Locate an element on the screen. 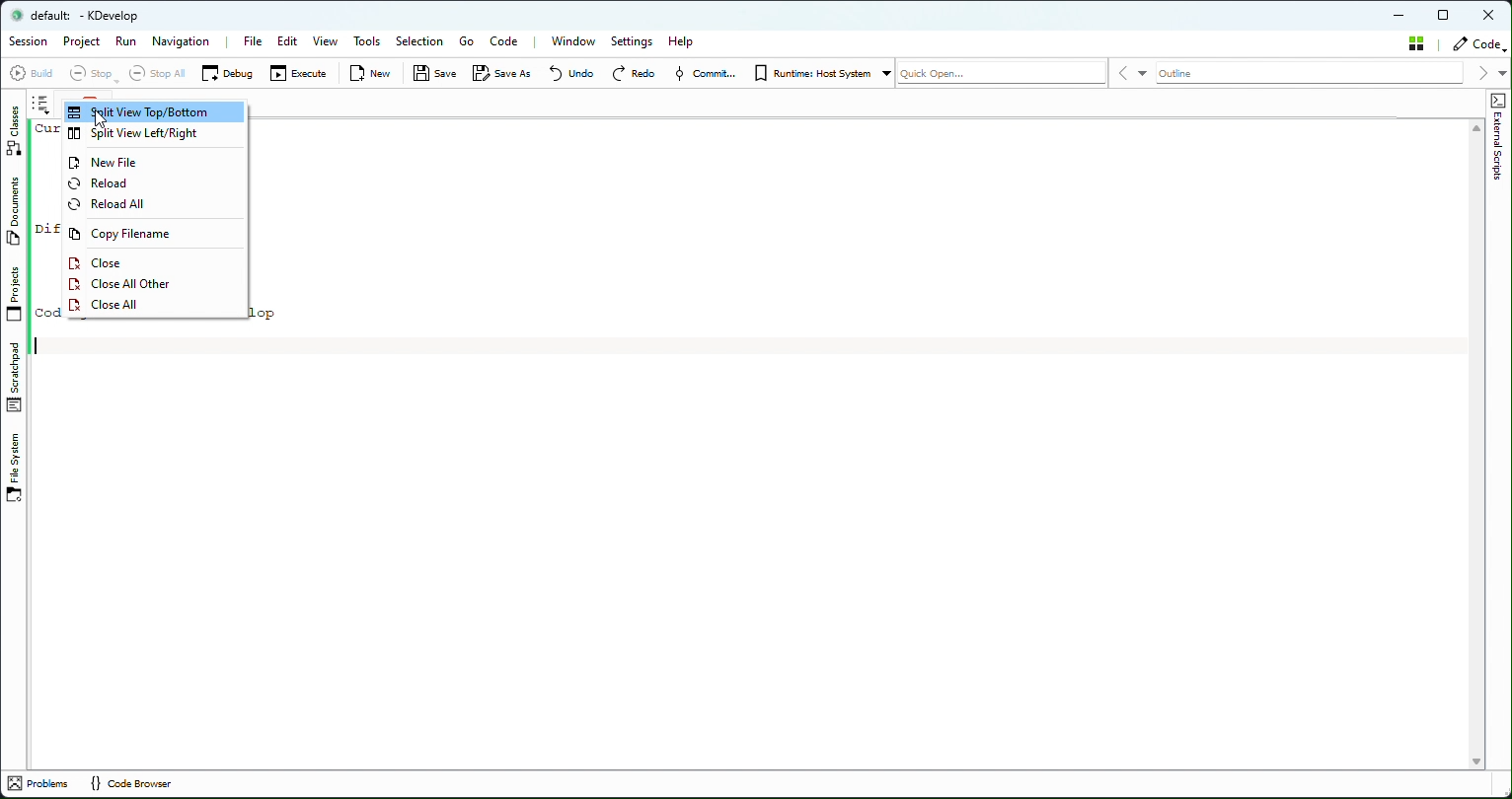  Redo is located at coordinates (634, 74).